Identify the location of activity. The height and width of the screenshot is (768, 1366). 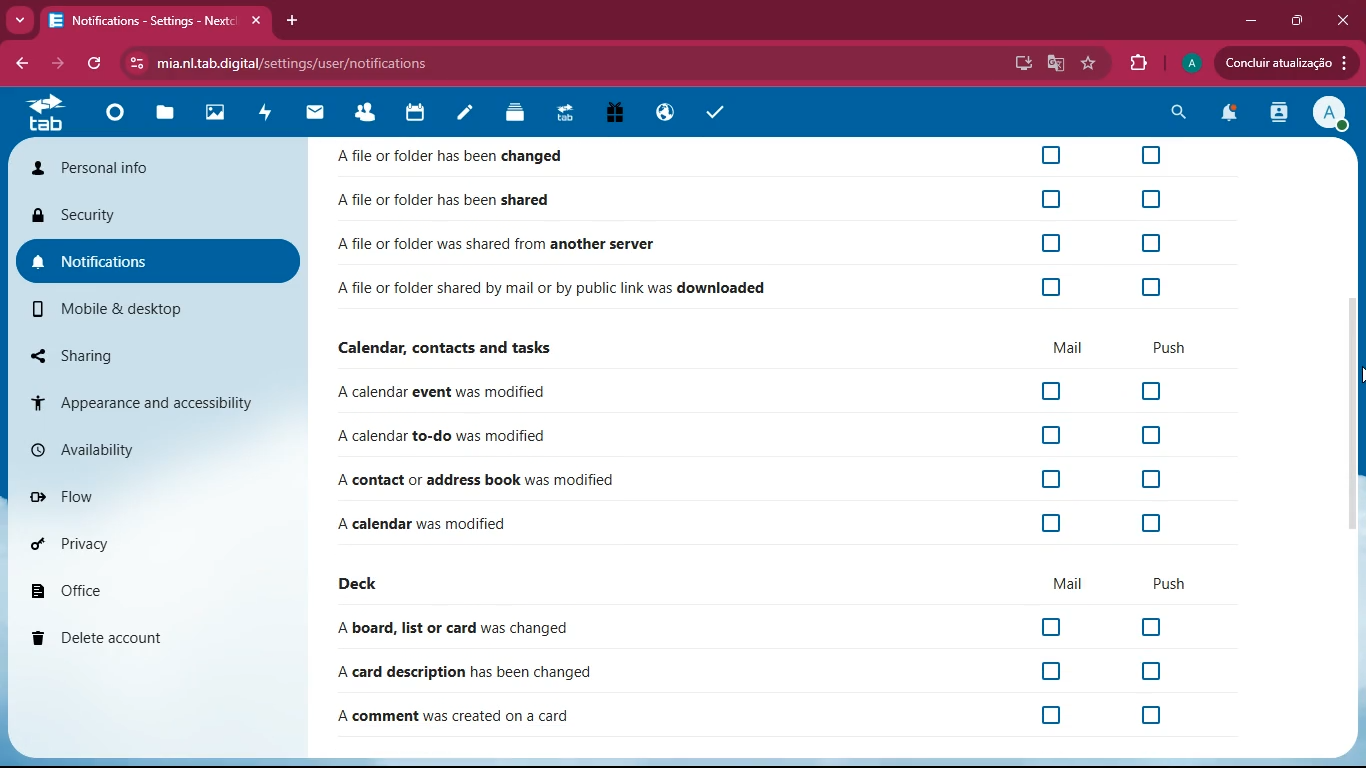
(266, 113).